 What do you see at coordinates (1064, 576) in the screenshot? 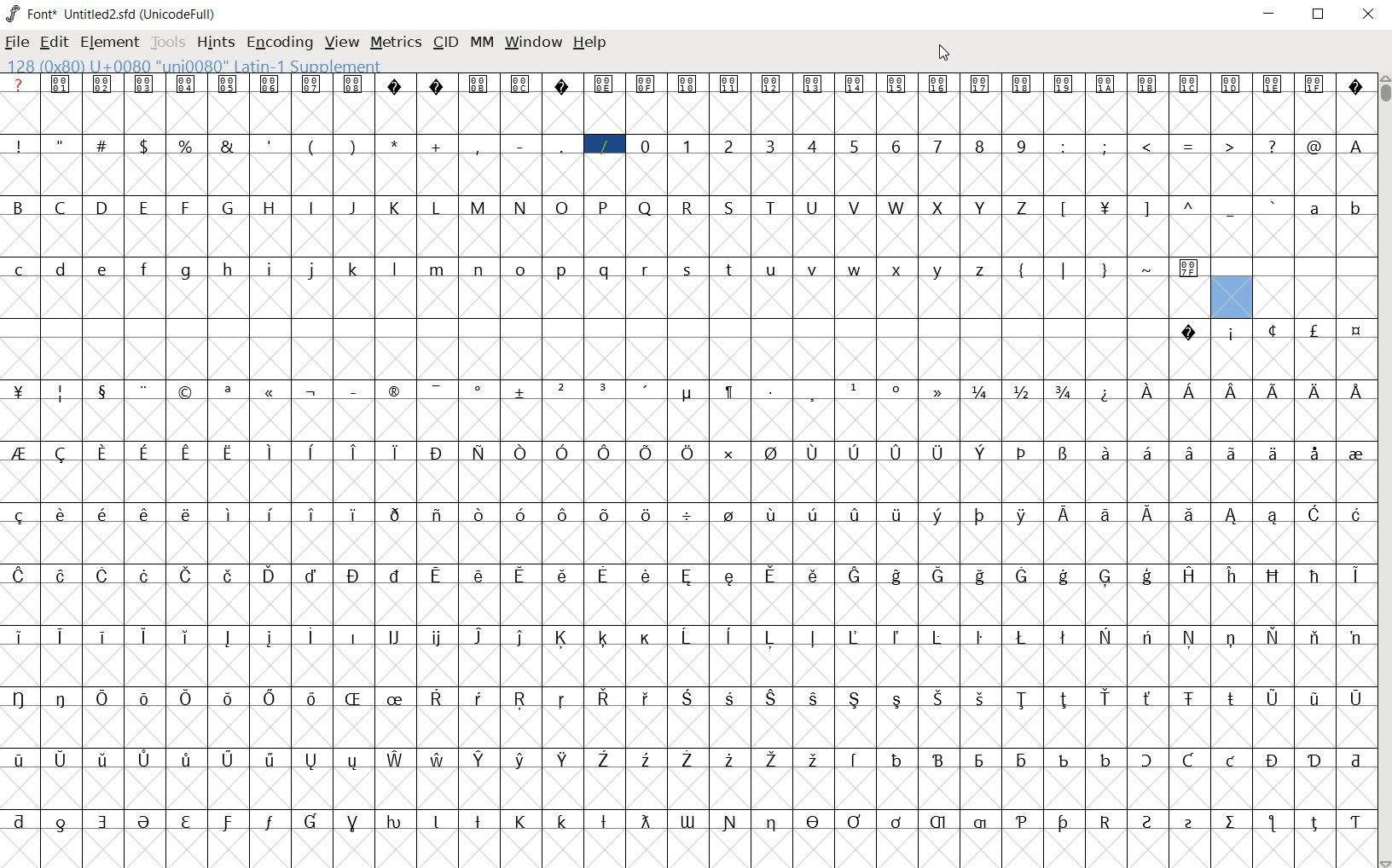
I see `glyph` at bounding box center [1064, 576].